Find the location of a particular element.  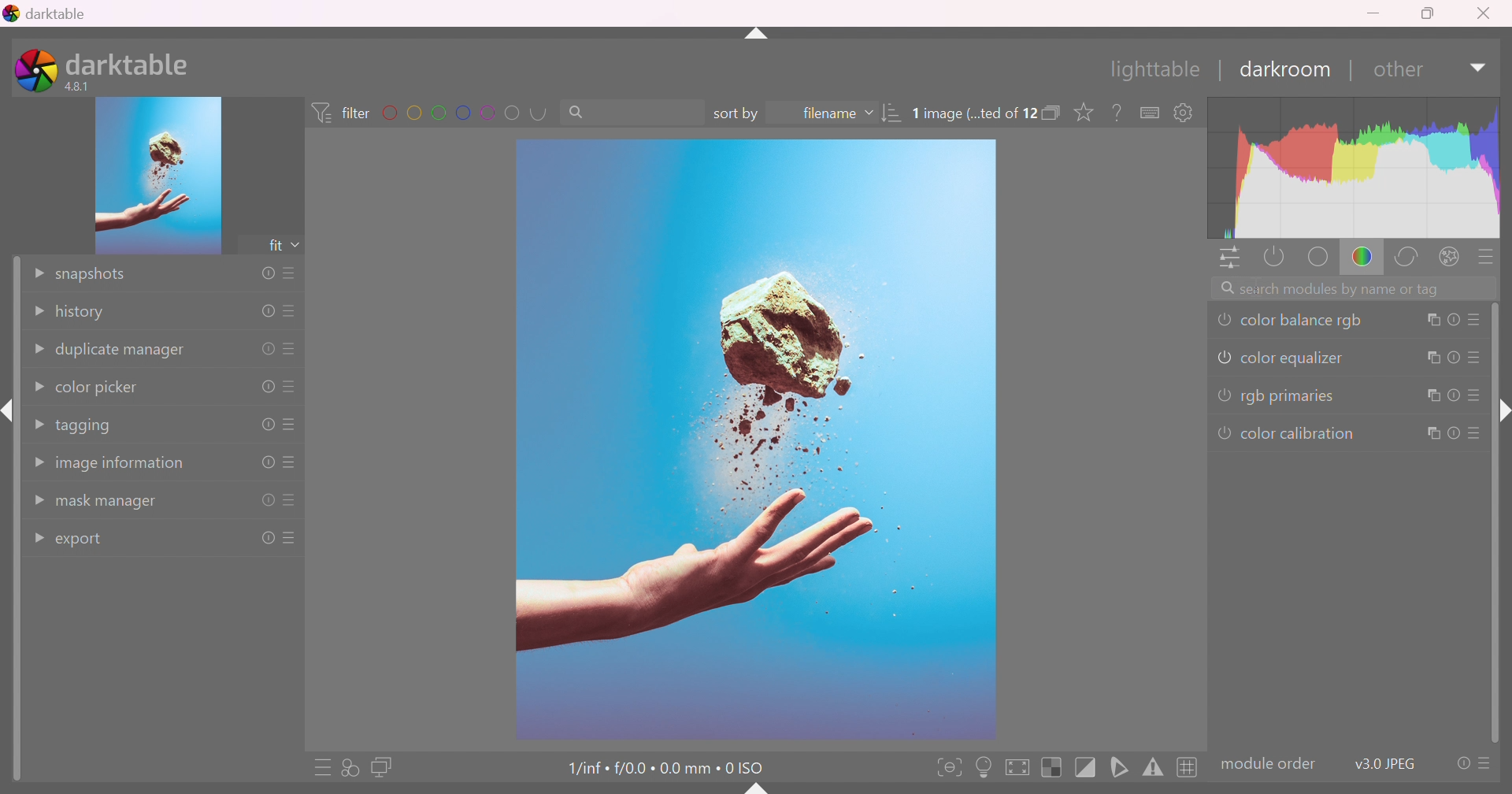

Drop Down is located at coordinates (1478, 69).